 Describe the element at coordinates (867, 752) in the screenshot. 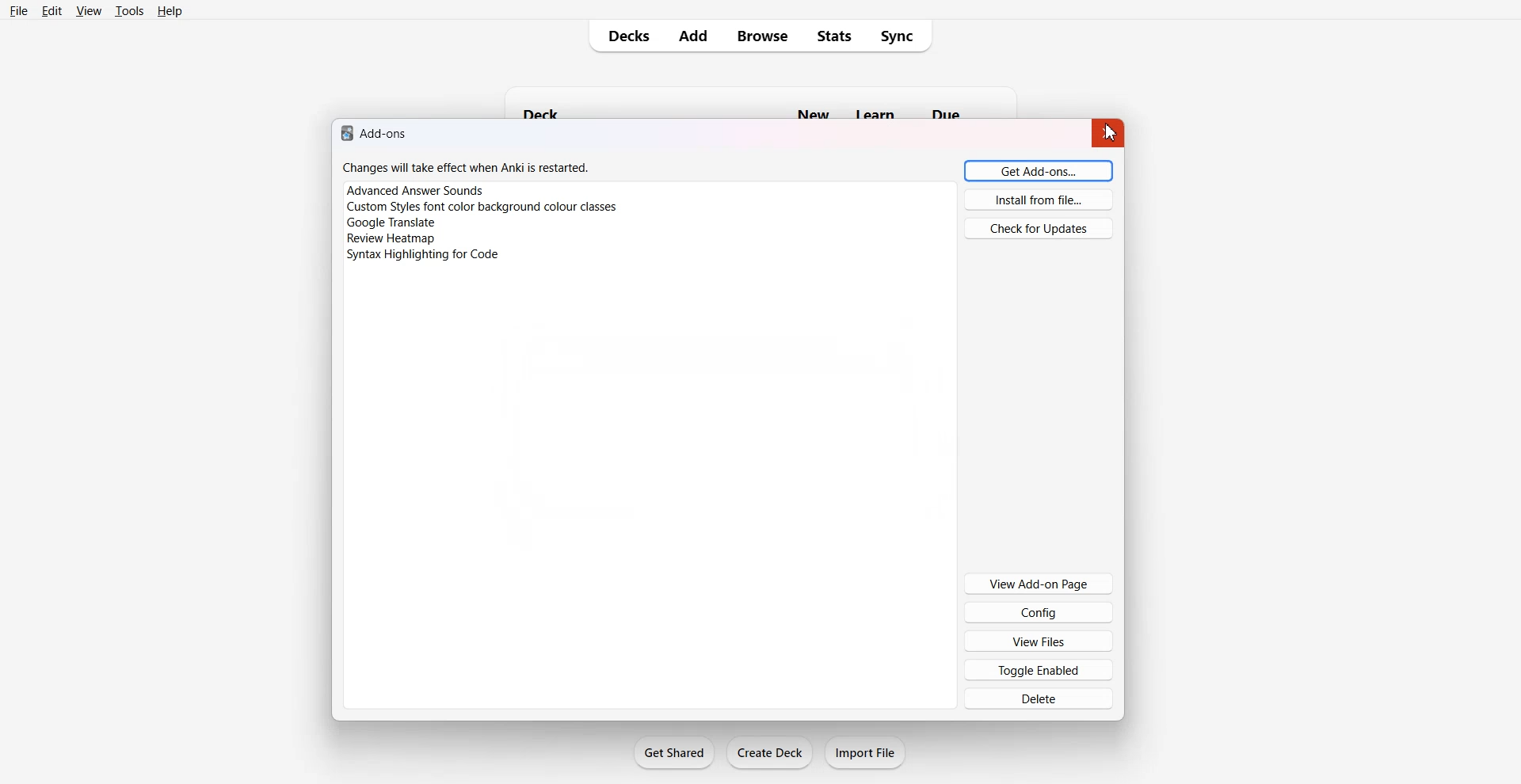

I see `Import File` at that location.